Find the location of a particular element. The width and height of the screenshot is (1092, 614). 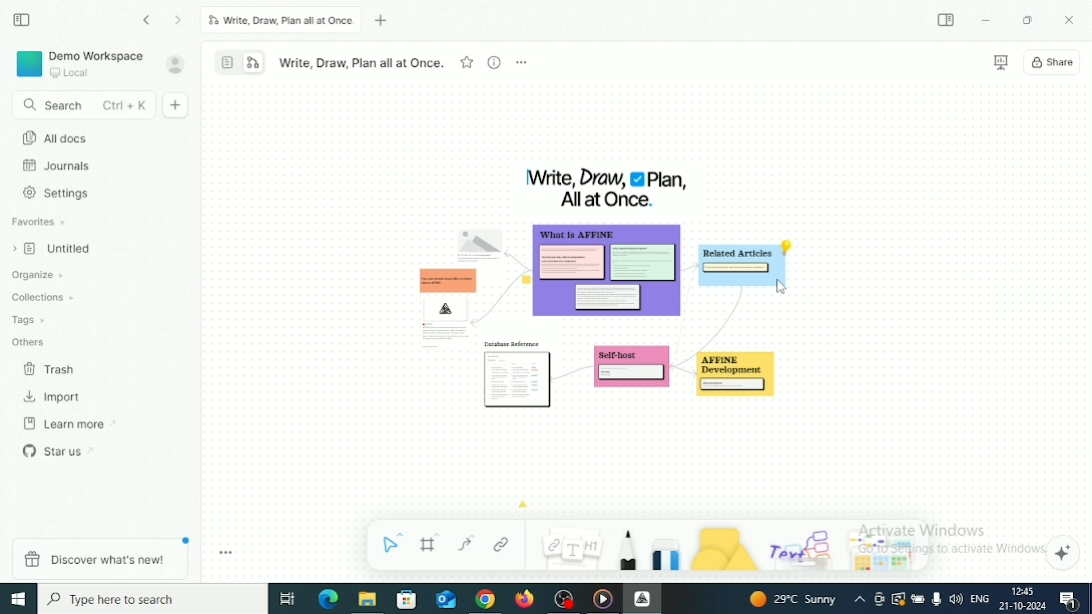

File Explorer is located at coordinates (367, 600).